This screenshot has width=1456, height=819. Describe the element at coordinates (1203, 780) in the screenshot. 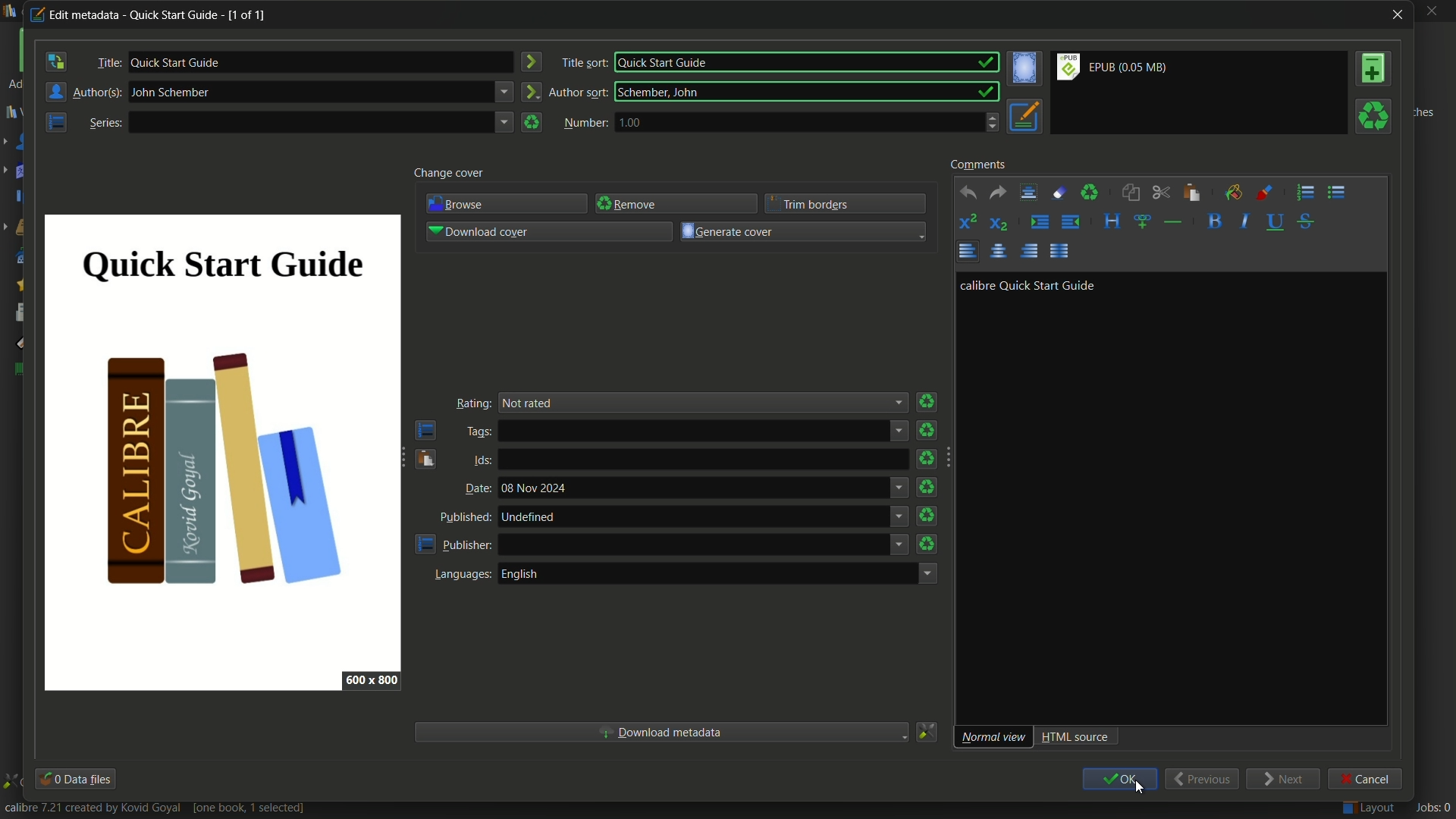

I see `previous` at that location.